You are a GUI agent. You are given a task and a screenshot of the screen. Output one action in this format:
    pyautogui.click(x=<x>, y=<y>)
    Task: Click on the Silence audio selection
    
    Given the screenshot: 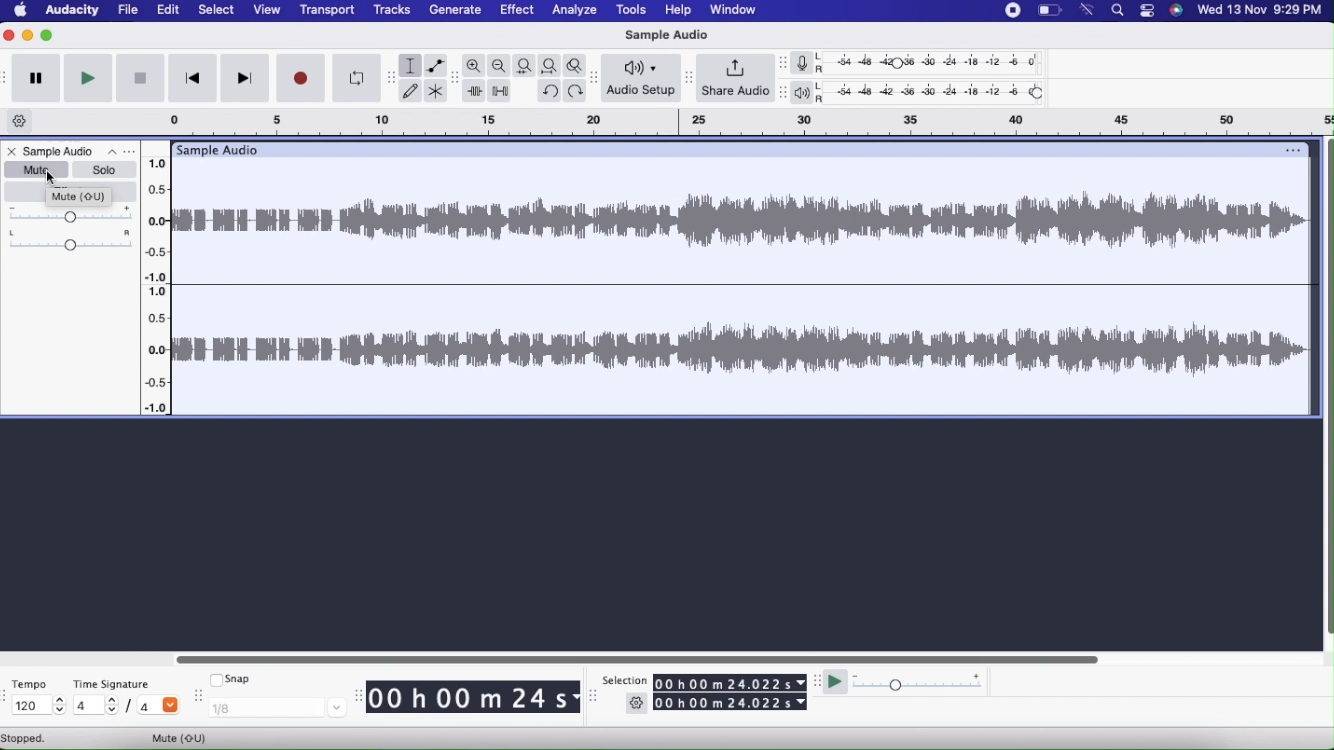 What is the action you would take?
    pyautogui.click(x=501, y=92)
    